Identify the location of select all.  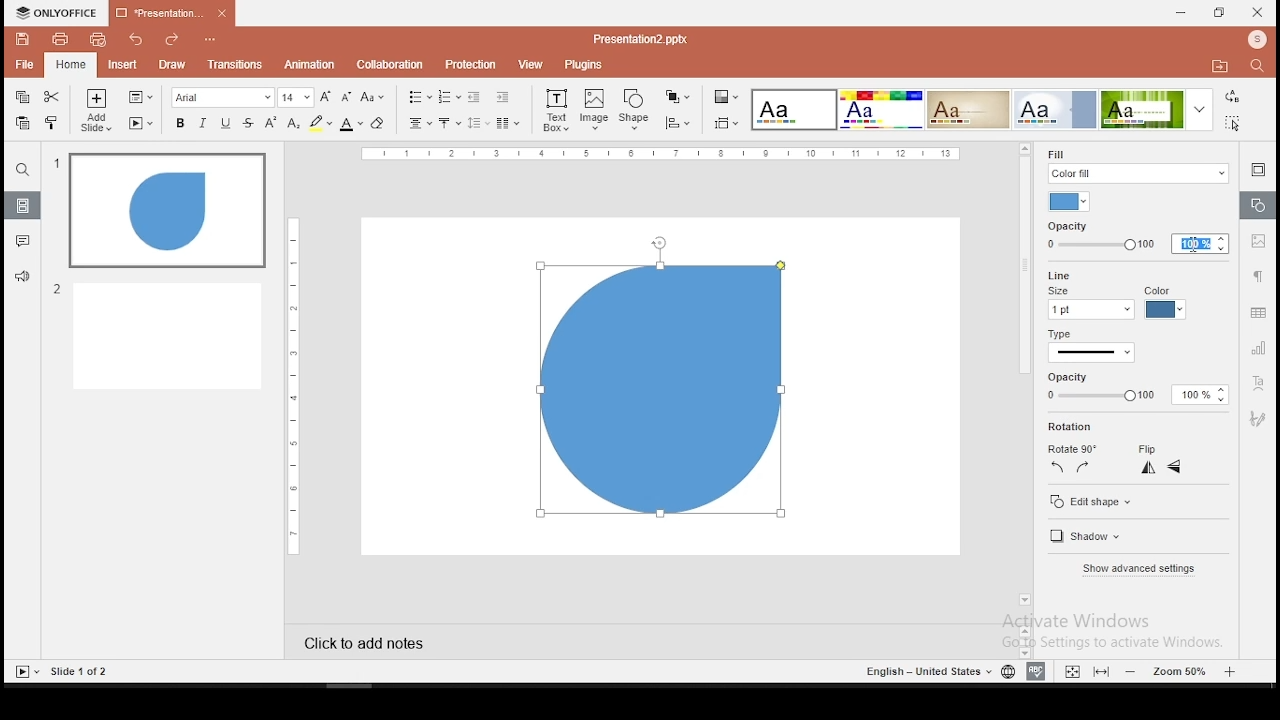
(1230, 125).